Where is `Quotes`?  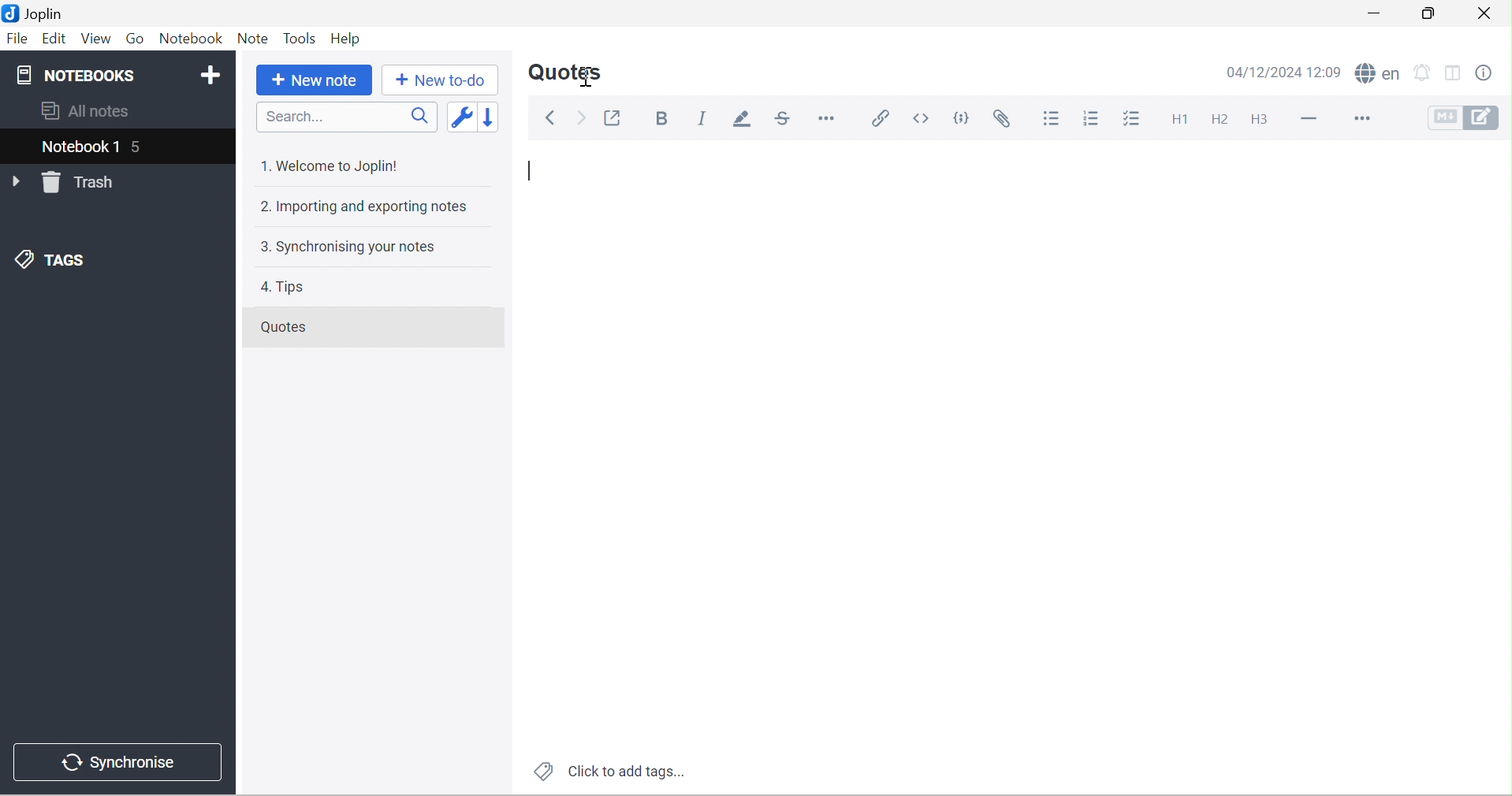 Quotes is located at coordinates (283, 326).